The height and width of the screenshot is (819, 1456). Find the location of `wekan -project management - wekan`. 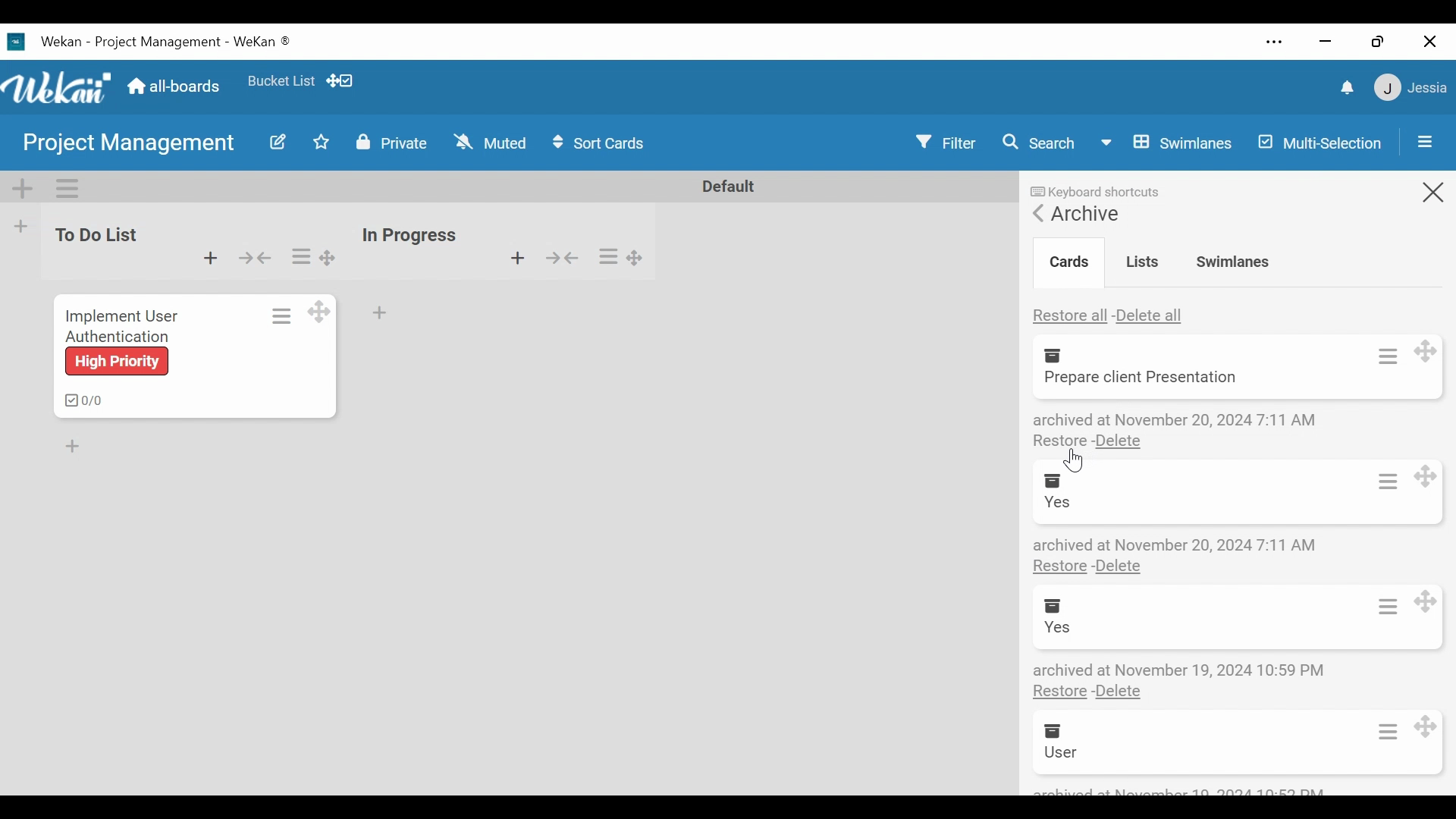

wekan -project management - wekan is located at coordinates (168, 39).